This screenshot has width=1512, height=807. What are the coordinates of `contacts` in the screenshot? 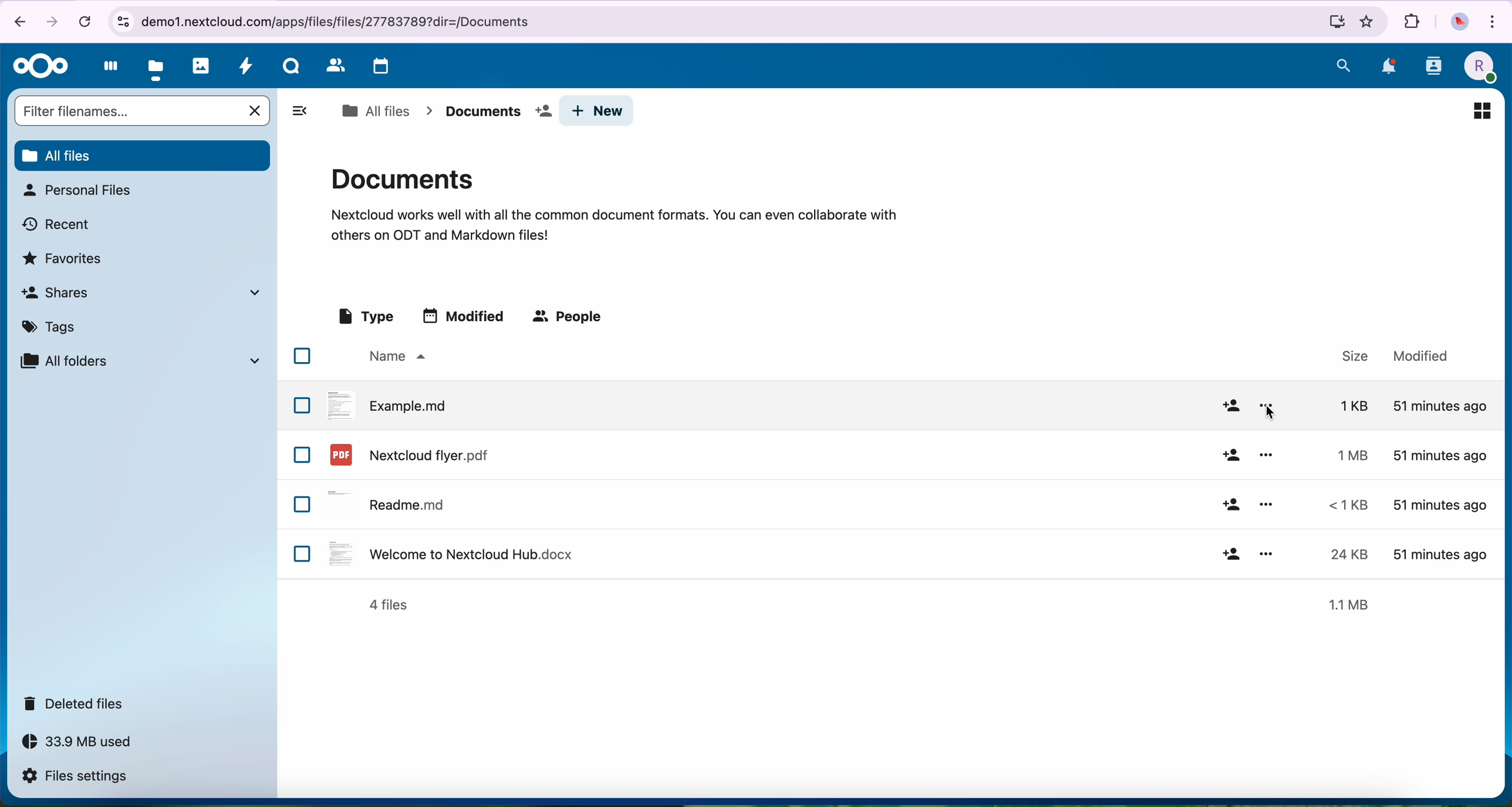 It's located at (1433, 70).